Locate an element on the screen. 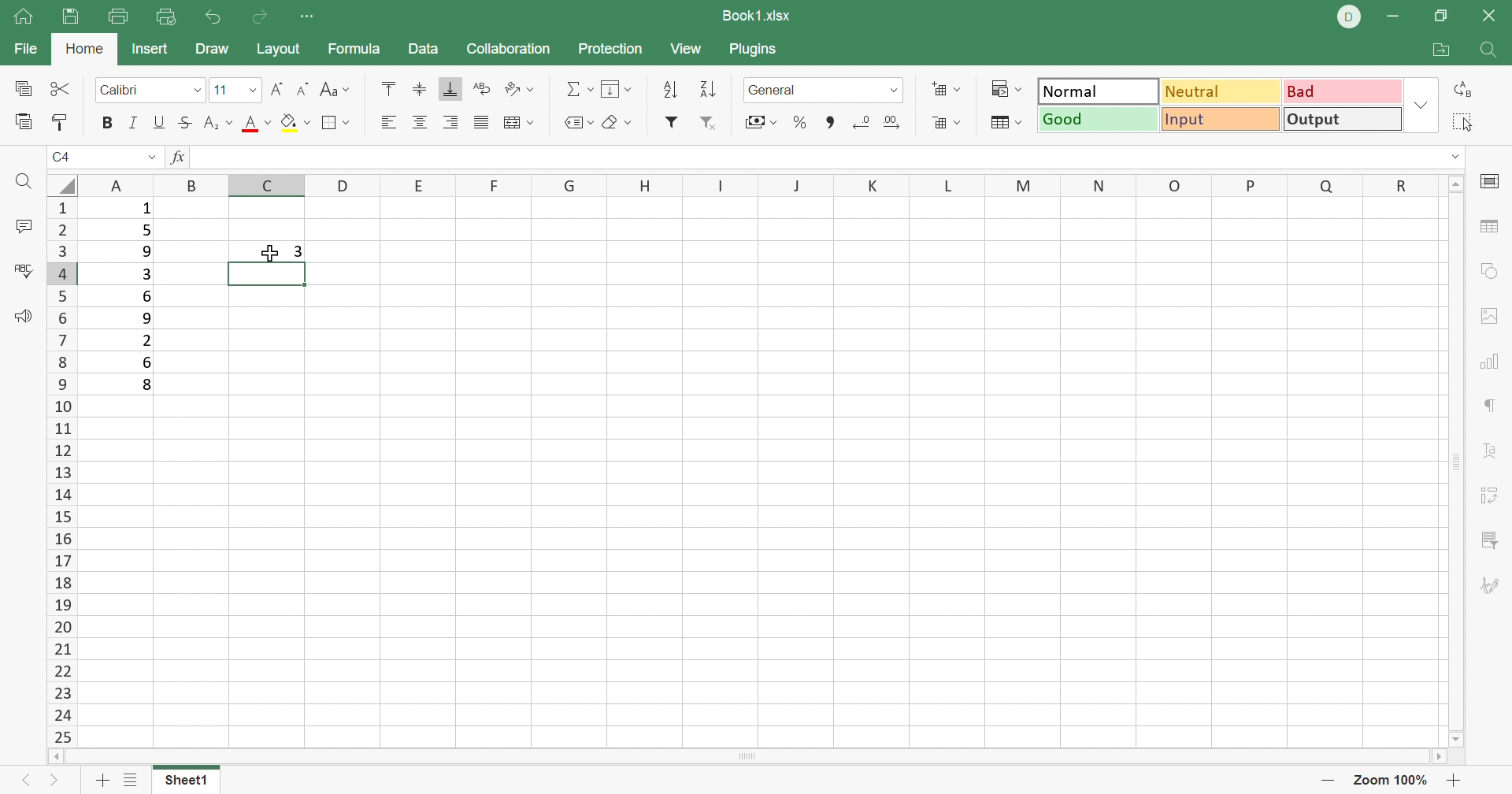 The height and width of the screenshot is (794, 1512). Paragraph settings is located at coordinates (1490, 410).